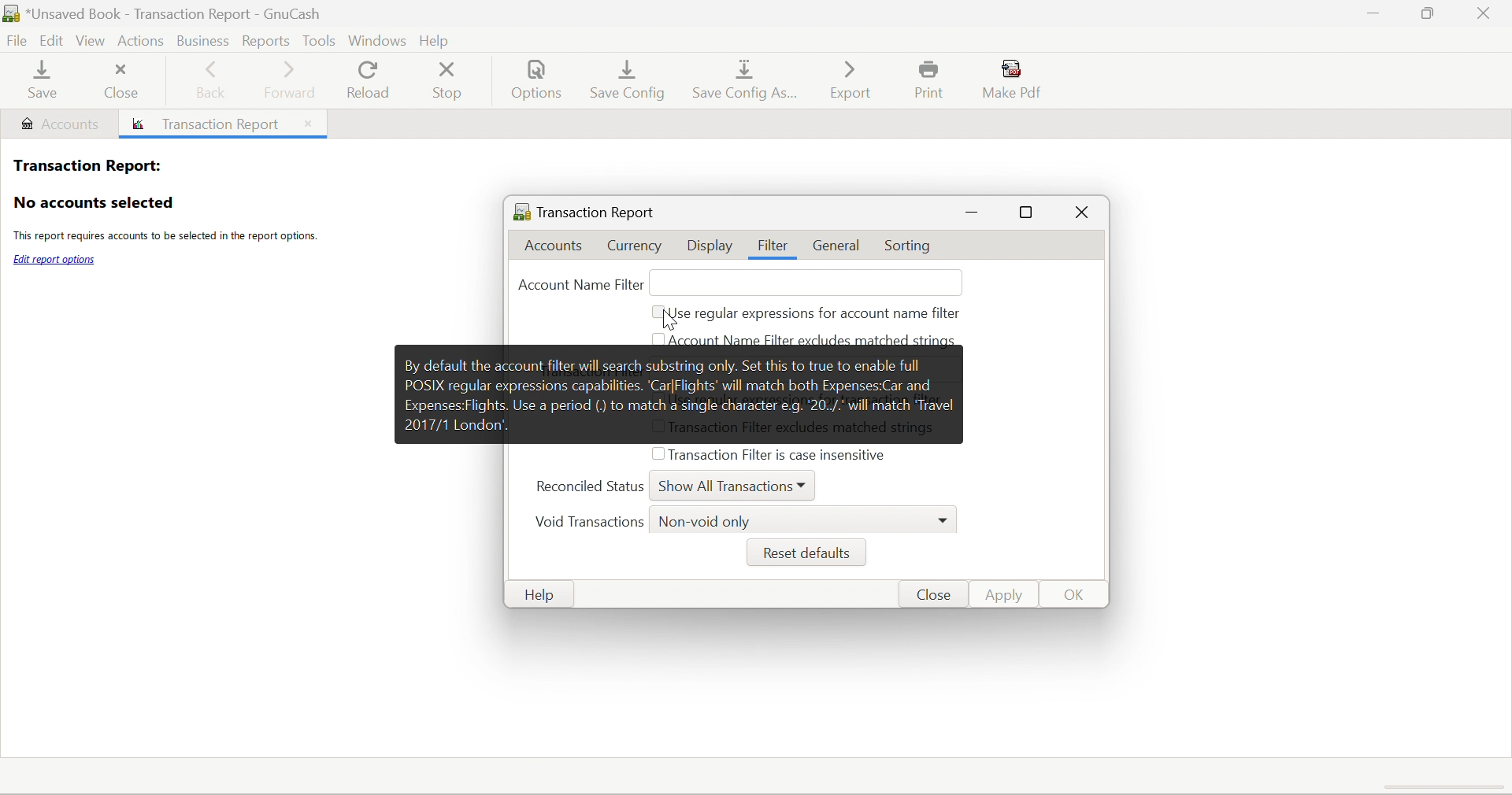 This screenshot has height=795, width=1512. I want to click on Close, so click(306, 123).